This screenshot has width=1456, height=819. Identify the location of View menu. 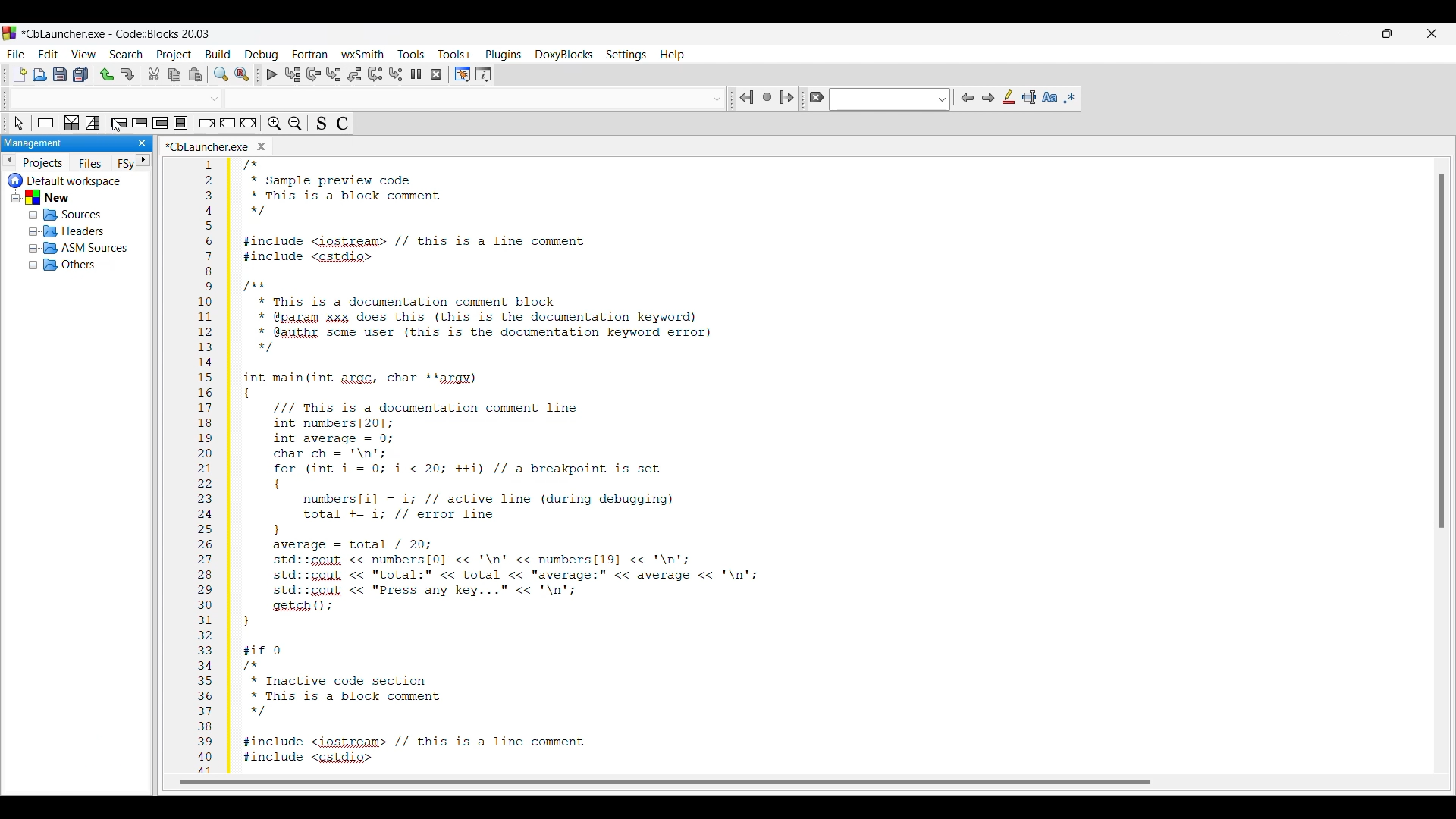
(84, 54).